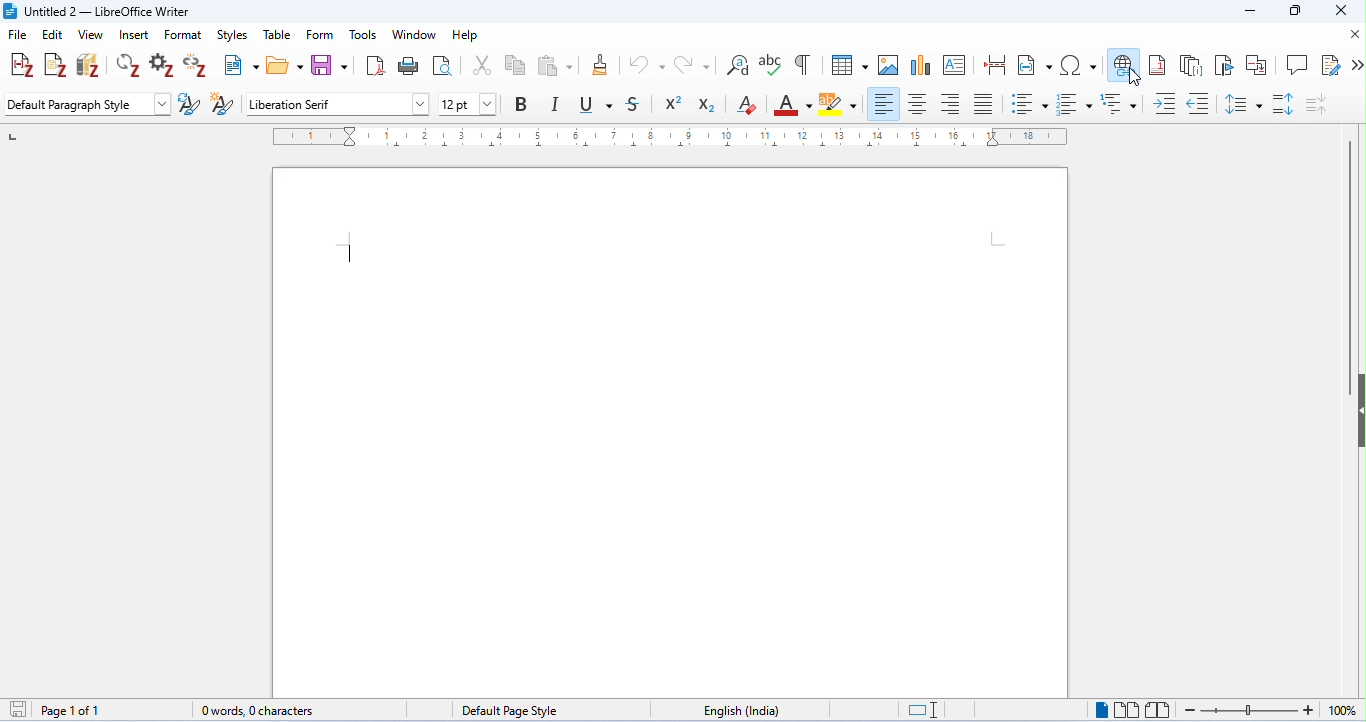  Describe the element at coordinates (522, 104) in the screenshot. I see `bold` at that location.